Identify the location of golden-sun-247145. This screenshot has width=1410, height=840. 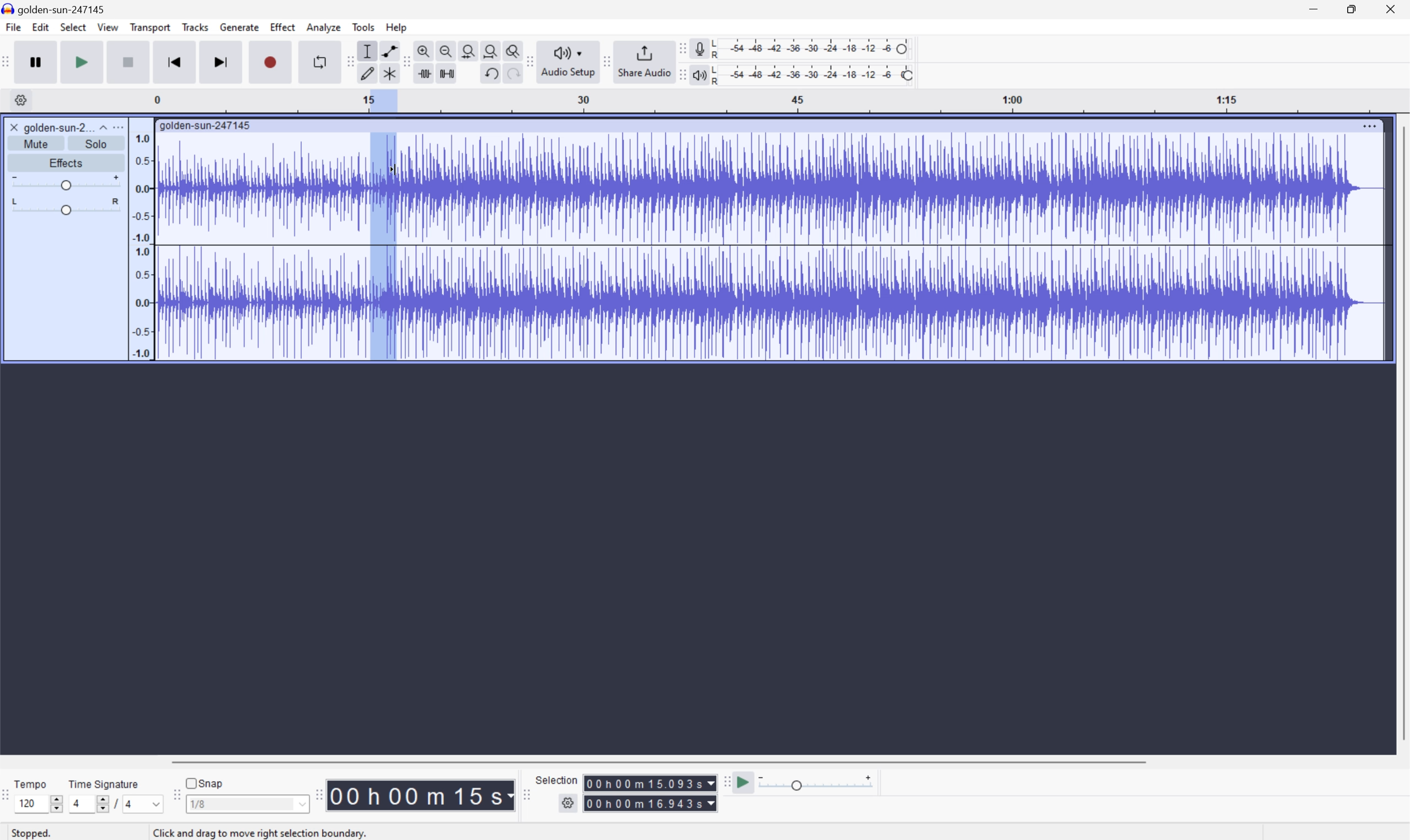
(57, 8).